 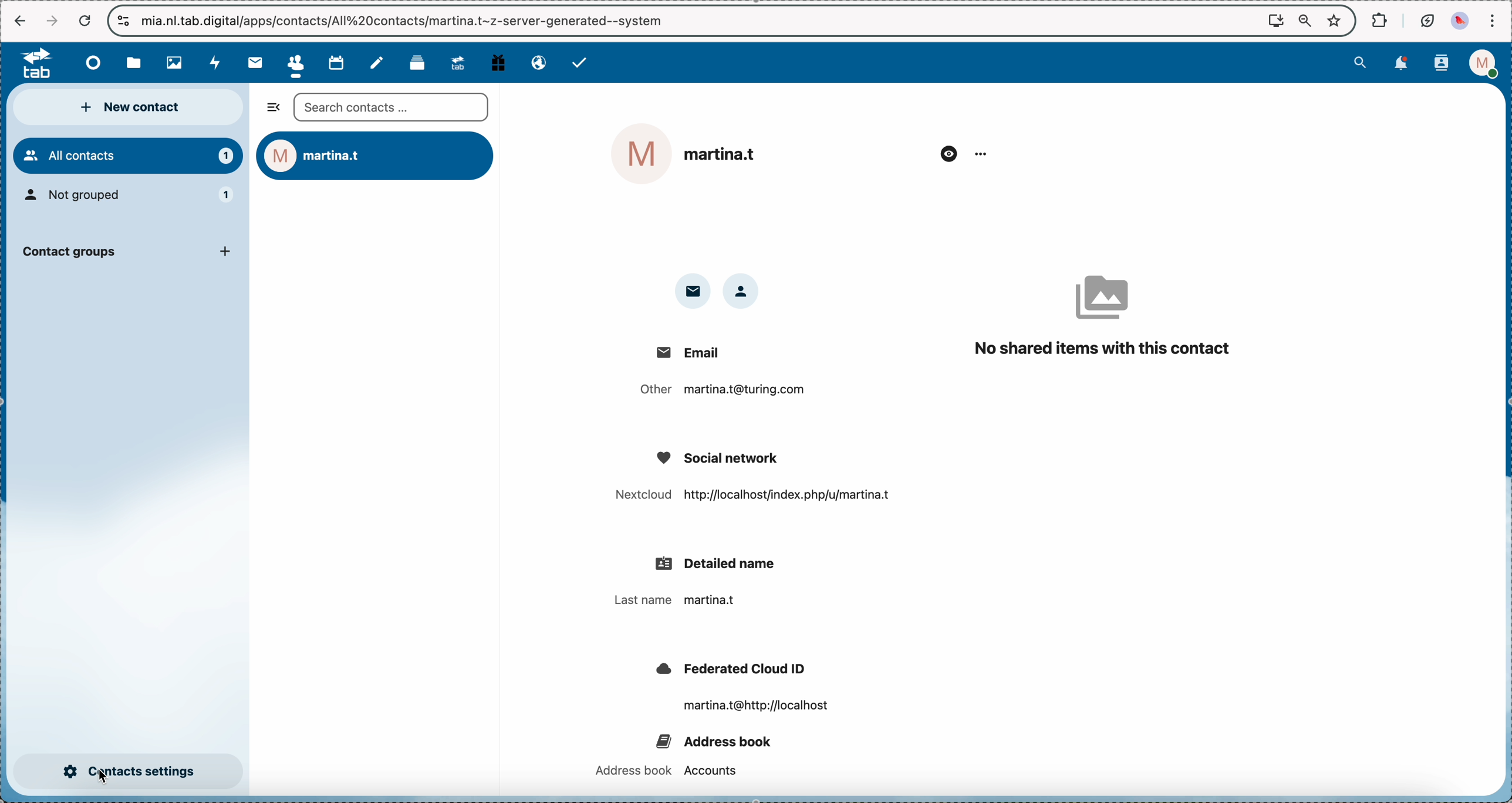 What do you see at coordinates (136, 64) in the screenshot?
I see `files` at bounding box center [136, 64].